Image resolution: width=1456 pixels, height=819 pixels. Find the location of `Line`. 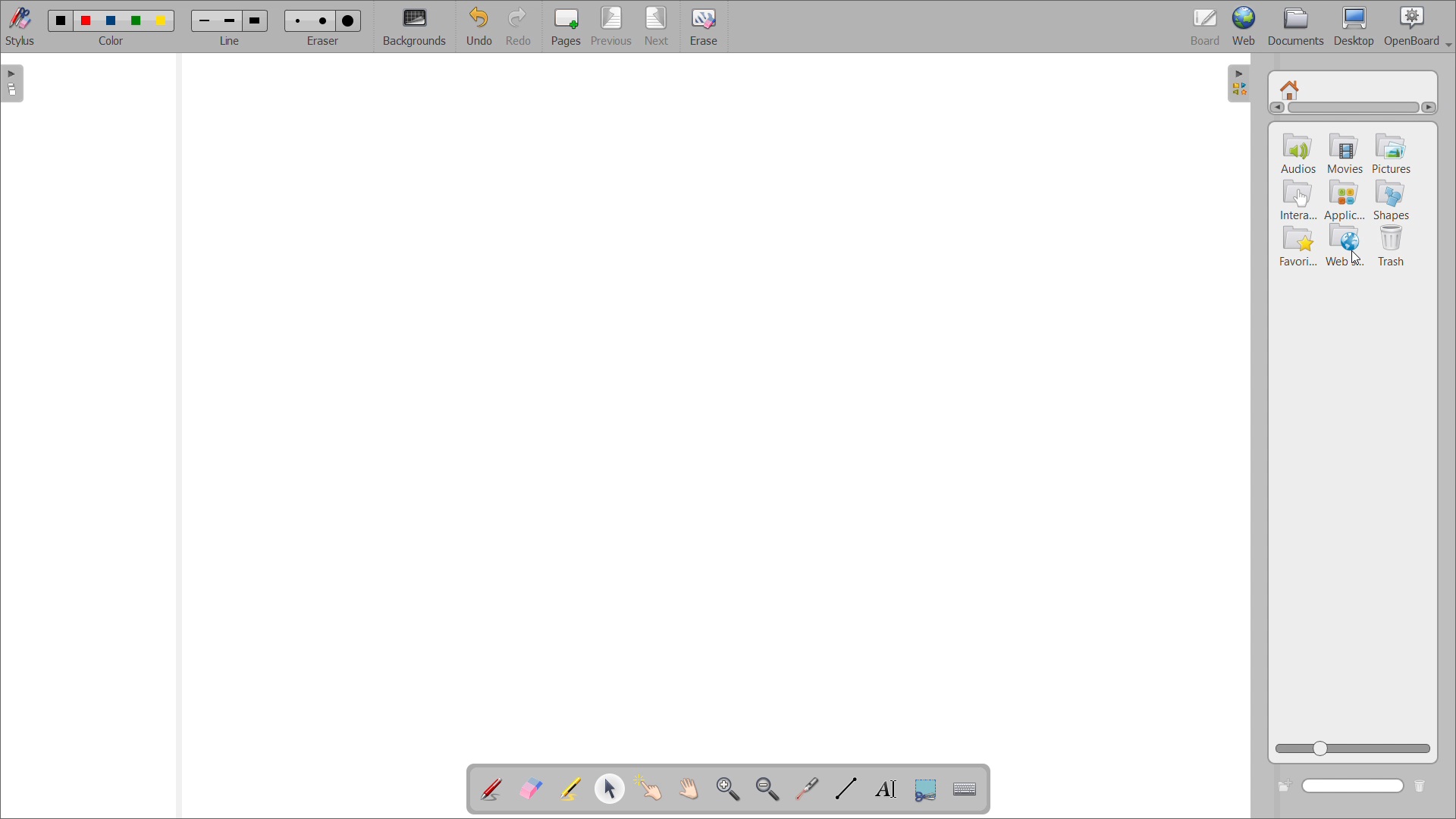

Line is located at coordinates (231, 41).